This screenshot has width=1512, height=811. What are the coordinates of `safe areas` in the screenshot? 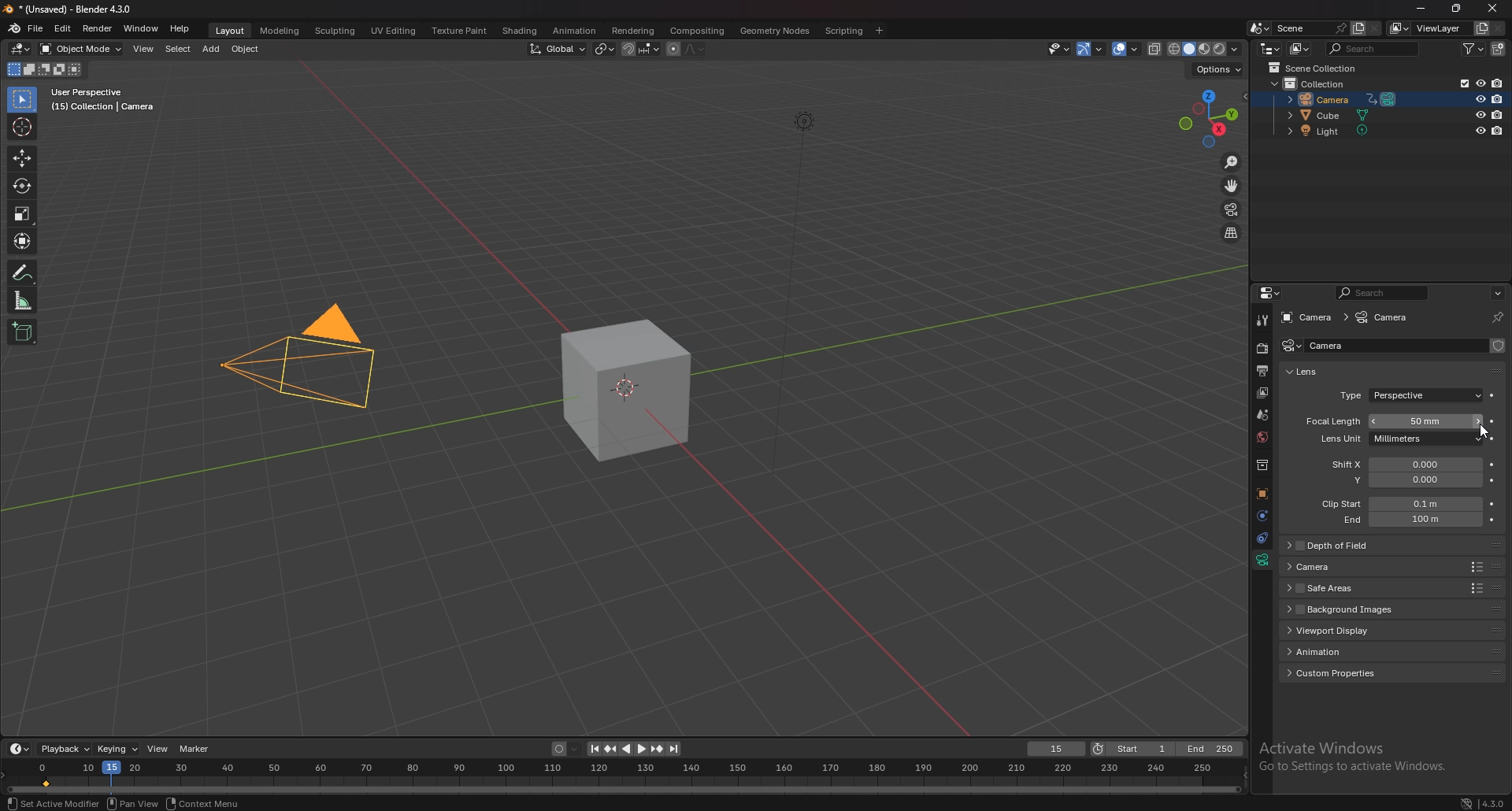 It's located at (1351, 588).